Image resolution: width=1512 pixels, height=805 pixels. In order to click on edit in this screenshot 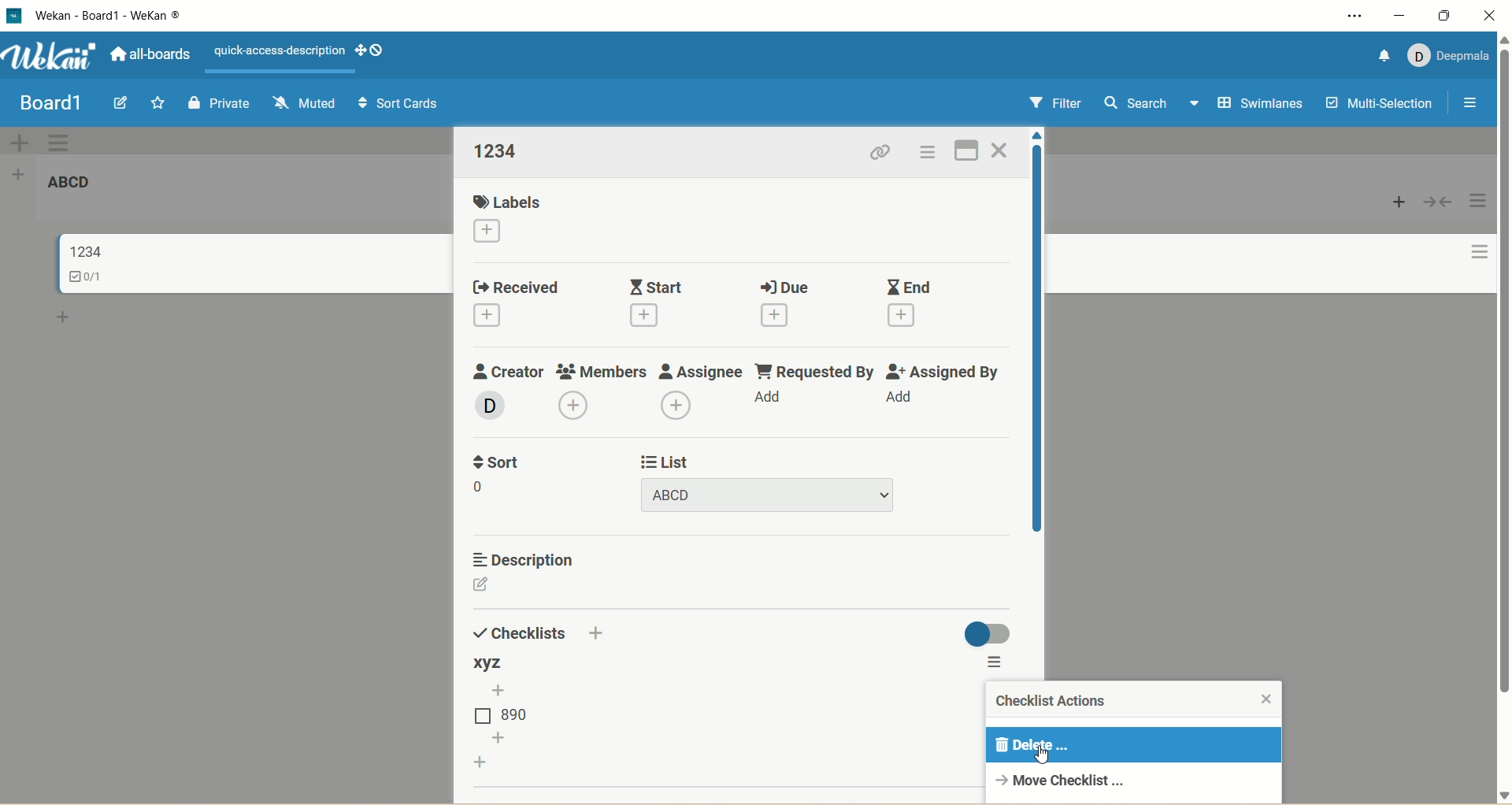, I will do `click(491, 587)`.